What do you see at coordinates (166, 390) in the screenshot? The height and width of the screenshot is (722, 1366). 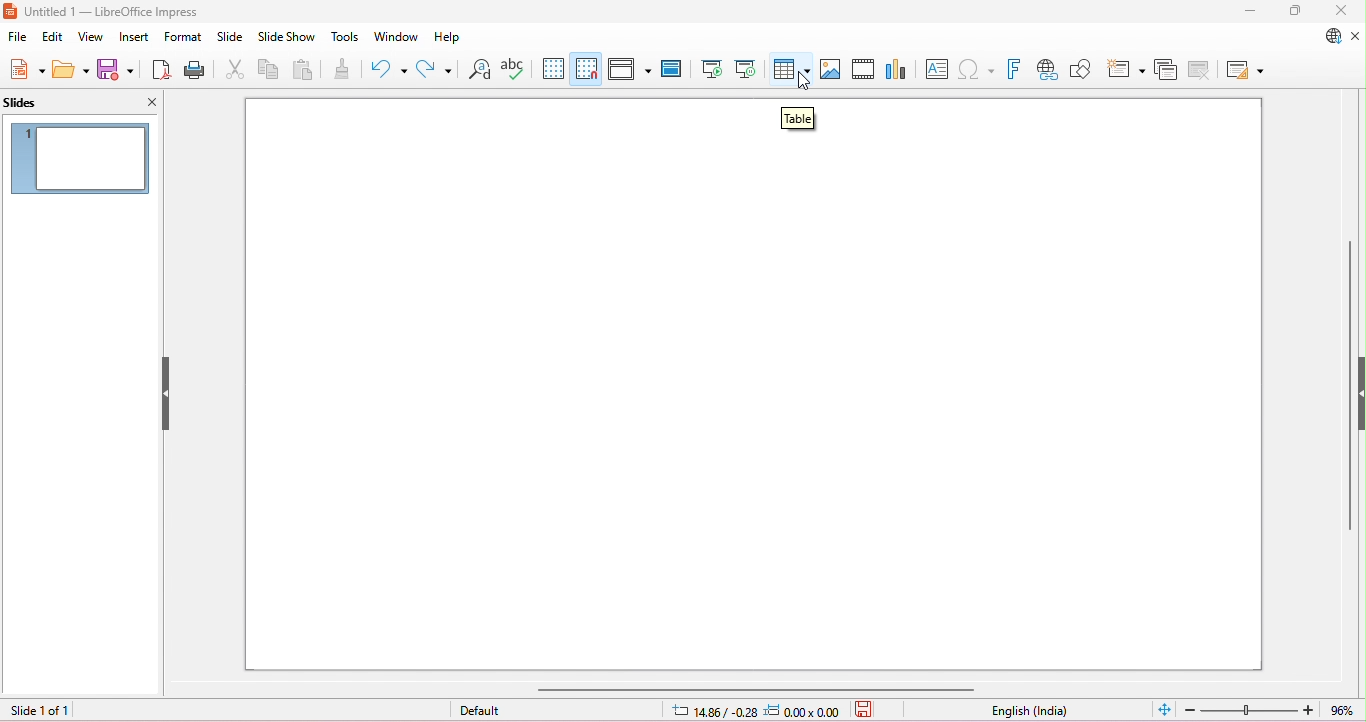 I see `hide/show` at bounding box center [166, 390].